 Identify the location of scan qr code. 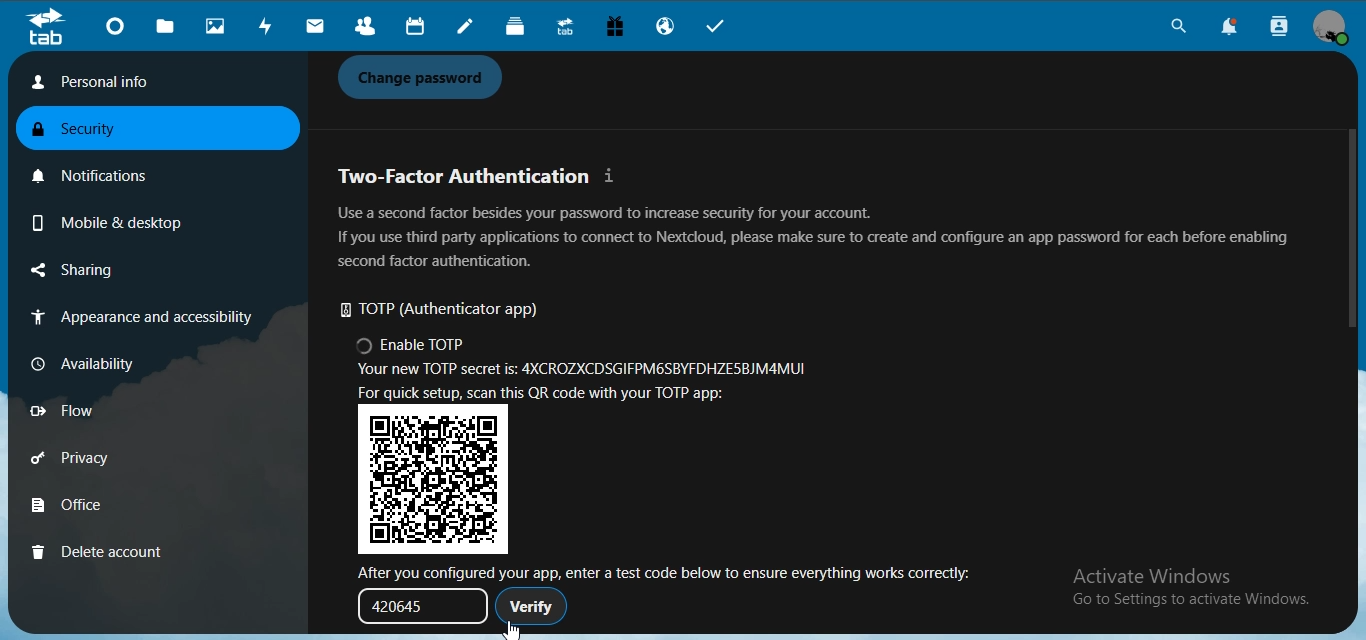
(554, 394).